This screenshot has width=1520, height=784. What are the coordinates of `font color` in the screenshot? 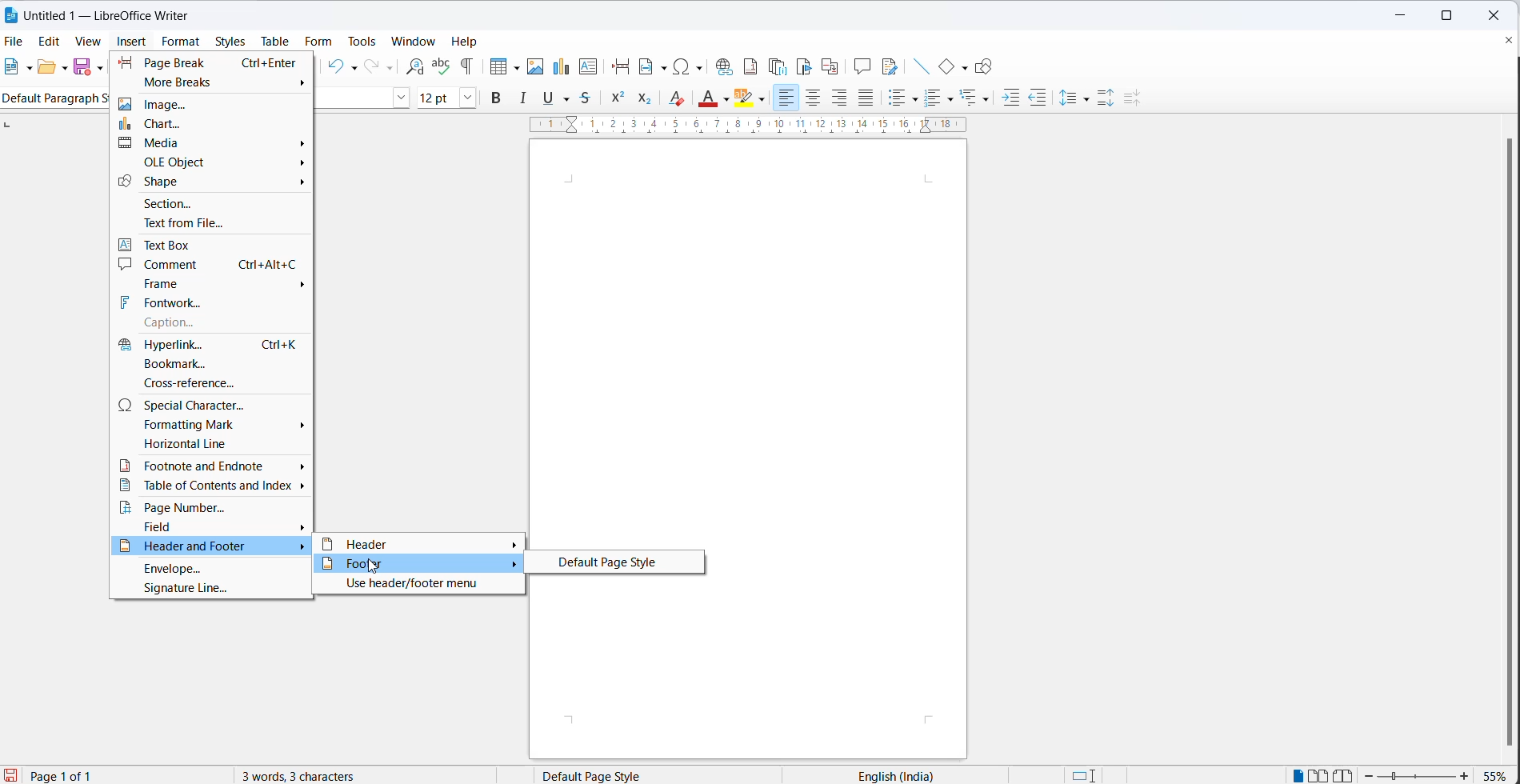 It's located at (708, 101).